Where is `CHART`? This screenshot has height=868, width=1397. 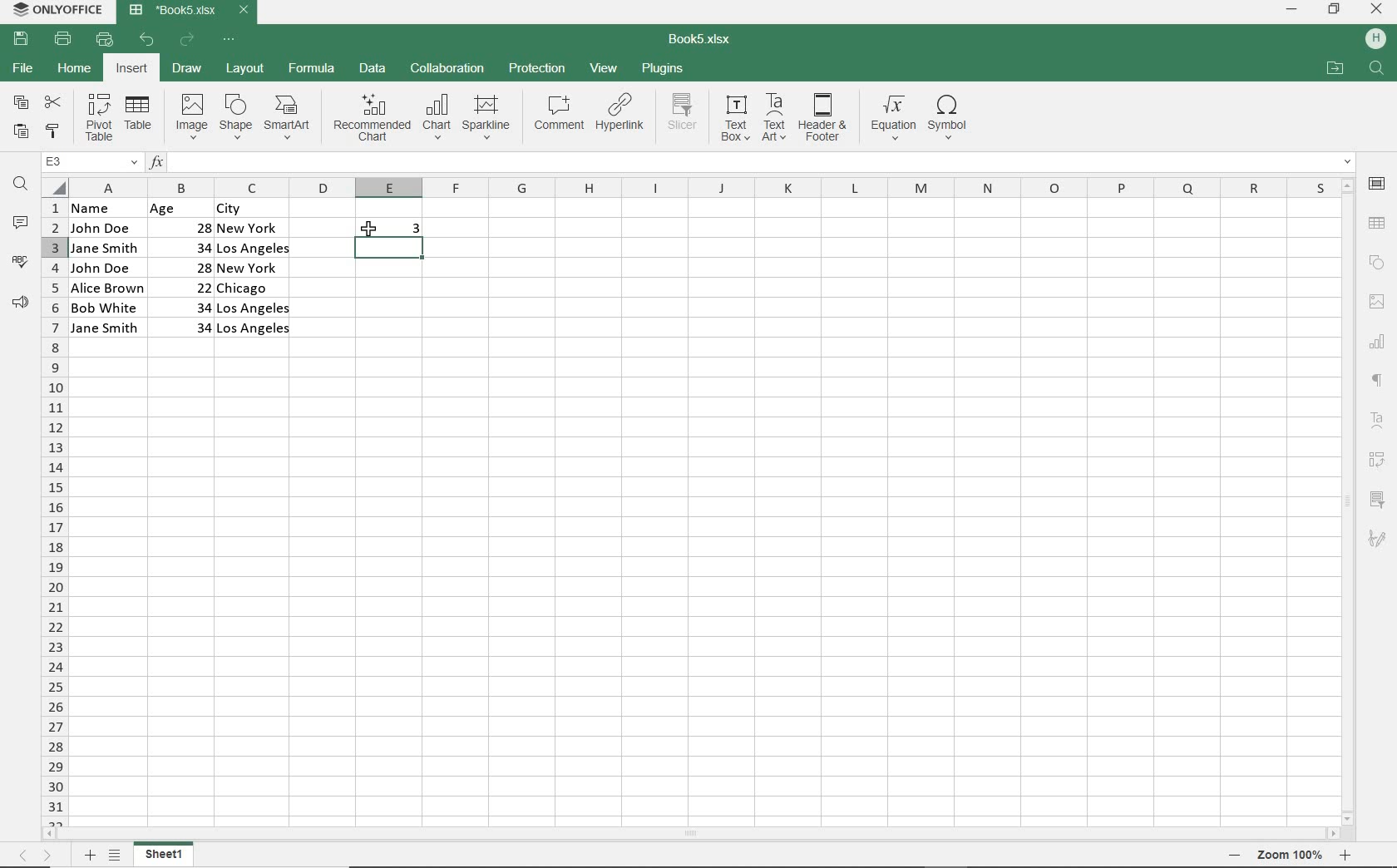 CHART is located at coordinates (1376, 341).